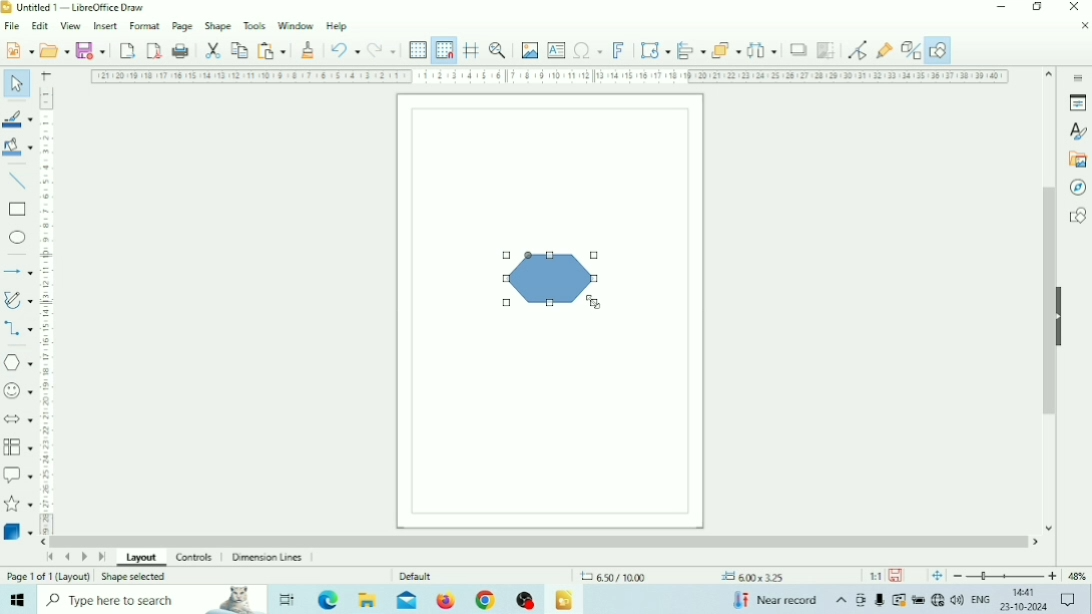  I want to click on New, so click(18, 49).